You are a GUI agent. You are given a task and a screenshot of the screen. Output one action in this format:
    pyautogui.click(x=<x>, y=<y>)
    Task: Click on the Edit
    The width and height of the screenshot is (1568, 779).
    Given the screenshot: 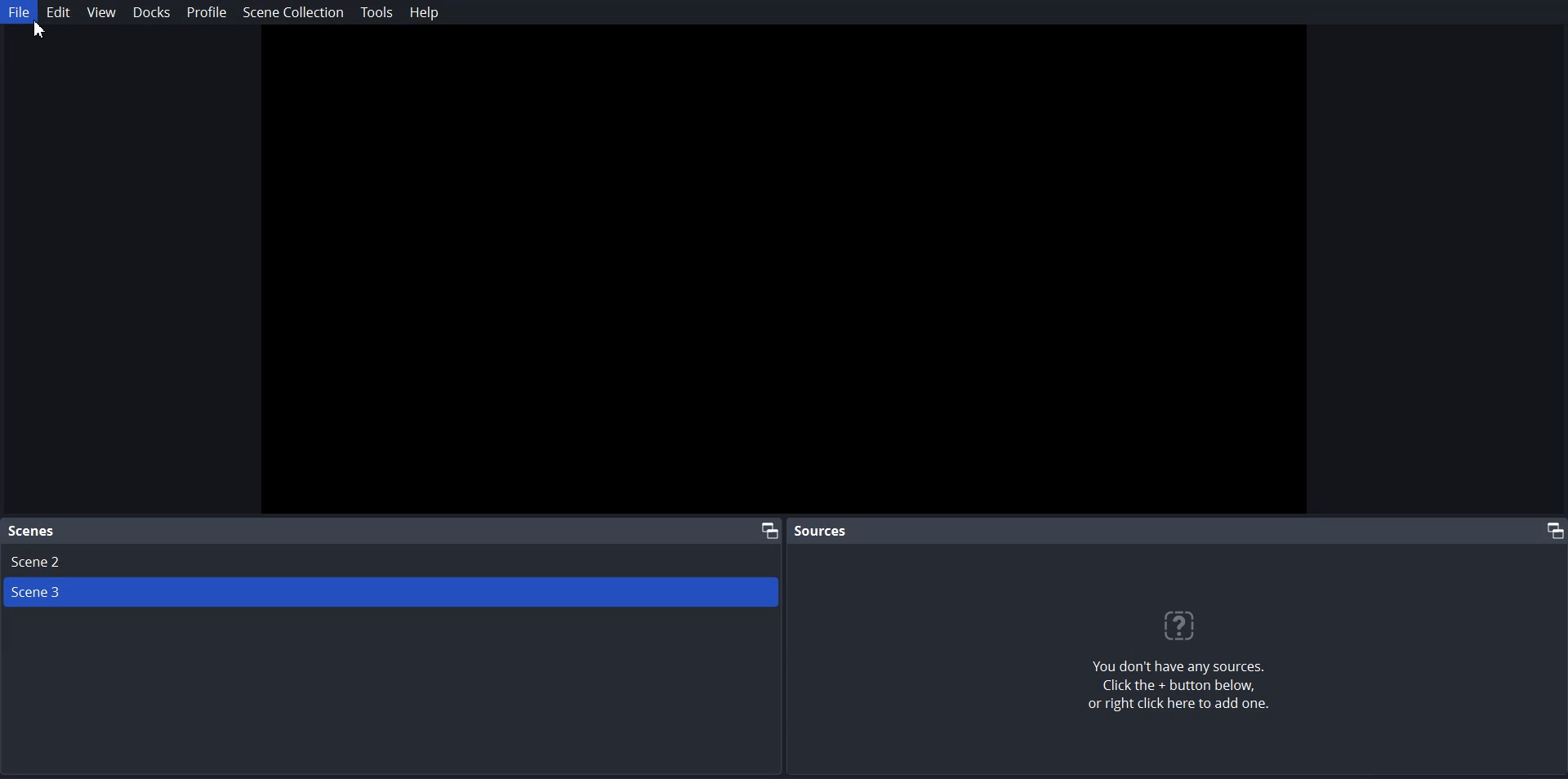 What is the action you would take?
    pyautogui.click(x=58, y=12)
    